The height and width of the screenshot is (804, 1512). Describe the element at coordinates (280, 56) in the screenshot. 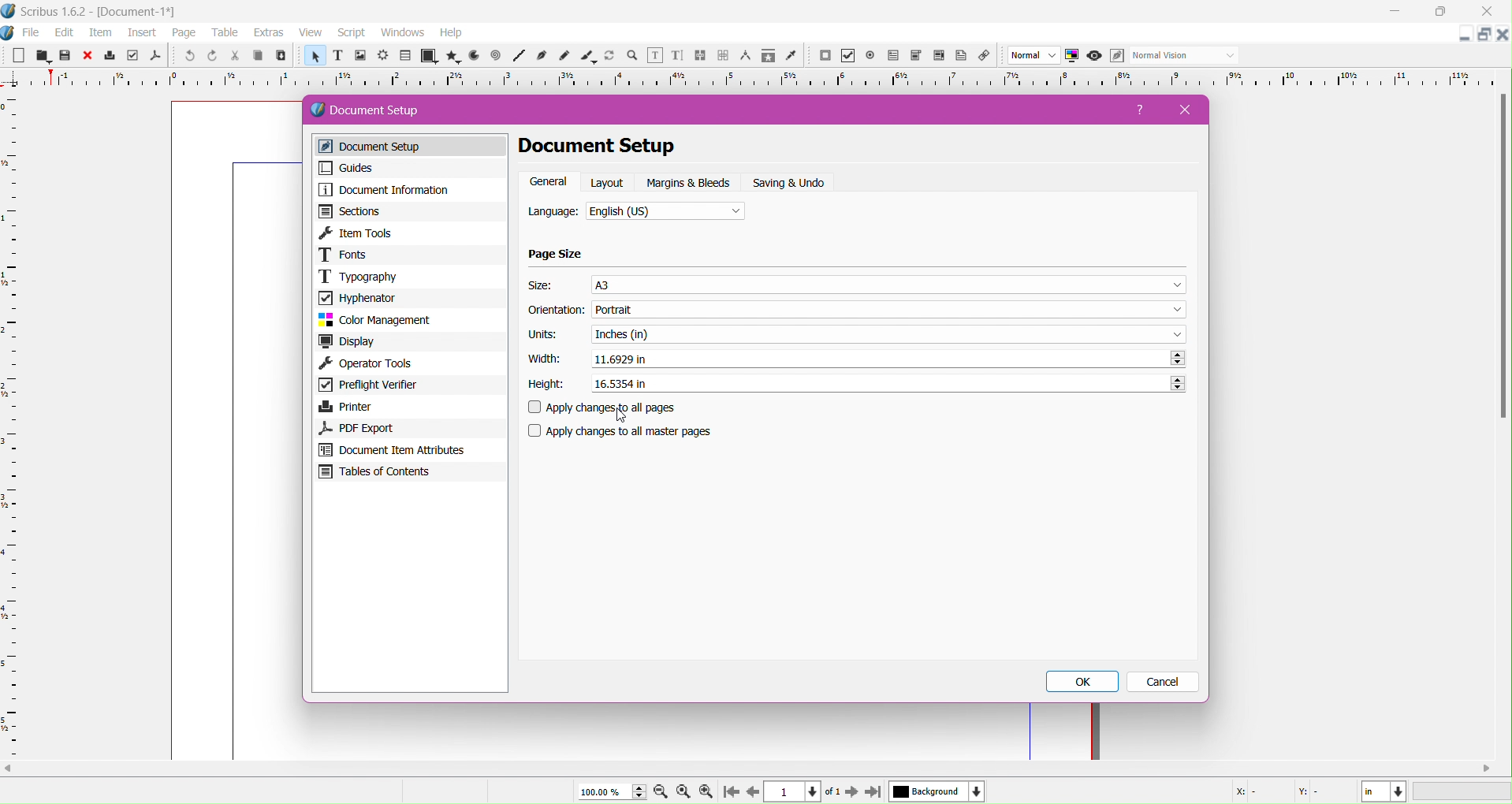

I see `paste` at that location.